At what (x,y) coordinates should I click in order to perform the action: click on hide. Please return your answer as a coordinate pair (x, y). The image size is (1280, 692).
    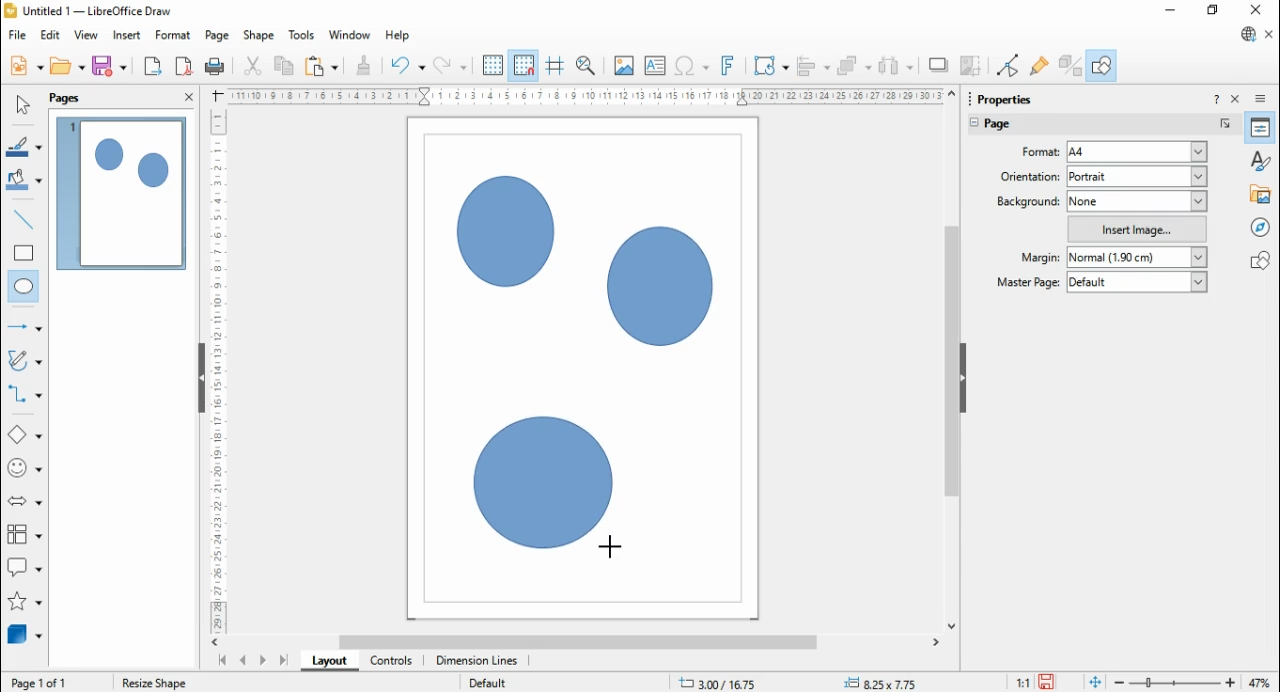
    Looking at the image, I should click on (962, 379).